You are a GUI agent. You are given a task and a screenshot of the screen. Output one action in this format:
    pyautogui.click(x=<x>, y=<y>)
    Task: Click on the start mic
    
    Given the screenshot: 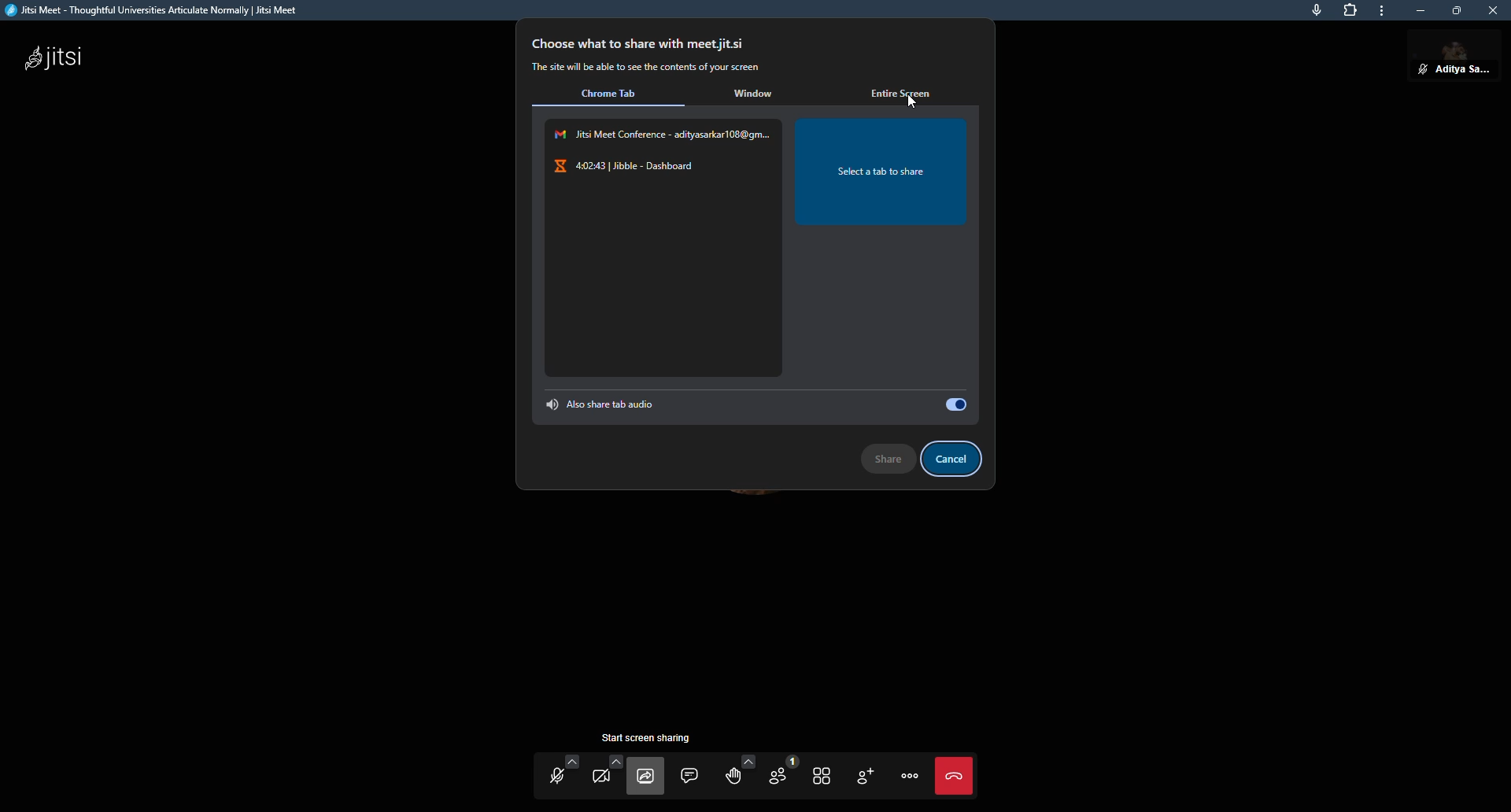 What is the action you would take?
    pyautogui.click(x=558, y=776)
    